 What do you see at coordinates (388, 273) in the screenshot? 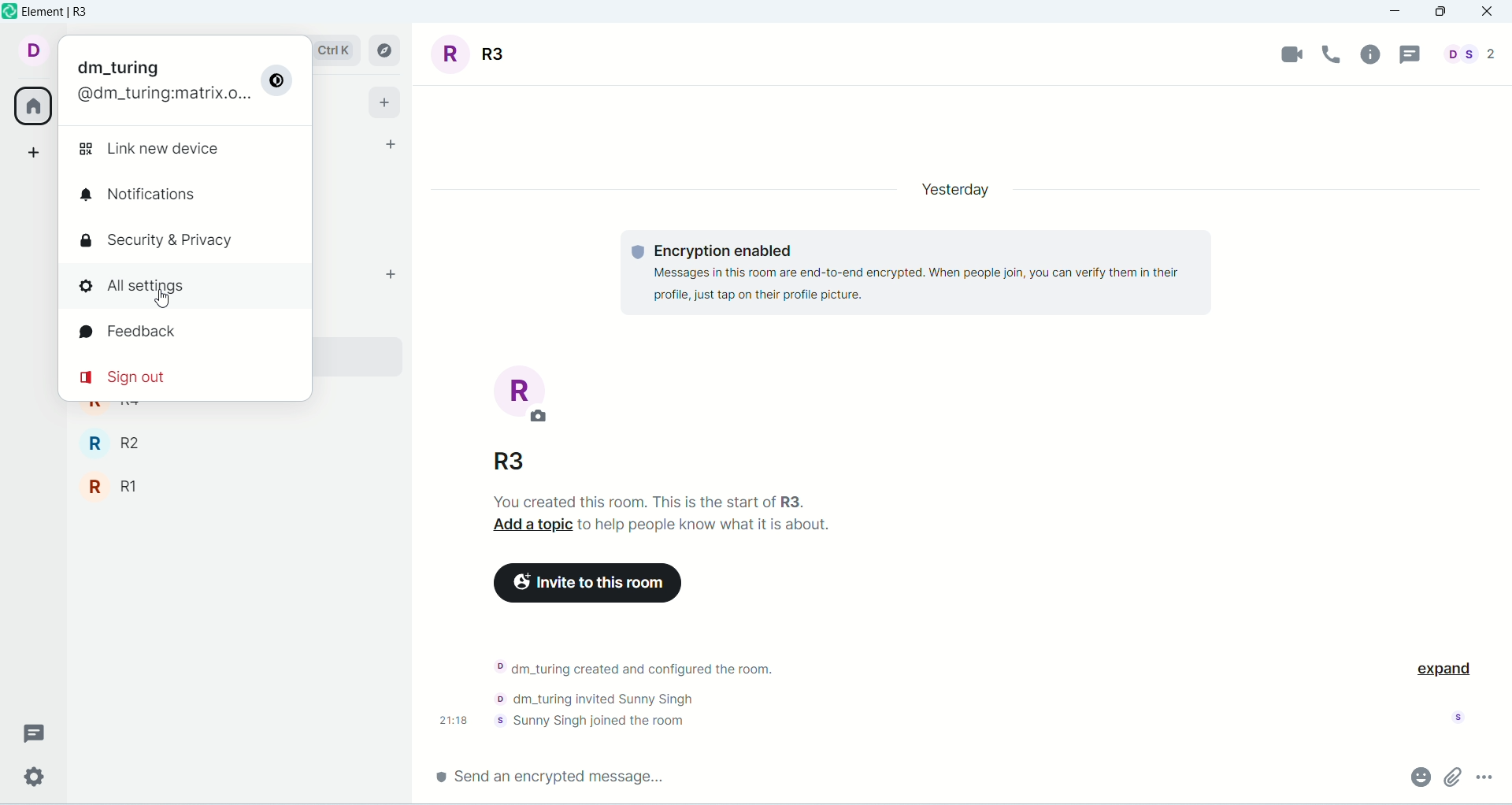
I see `add` at bounding box center [388, 273].